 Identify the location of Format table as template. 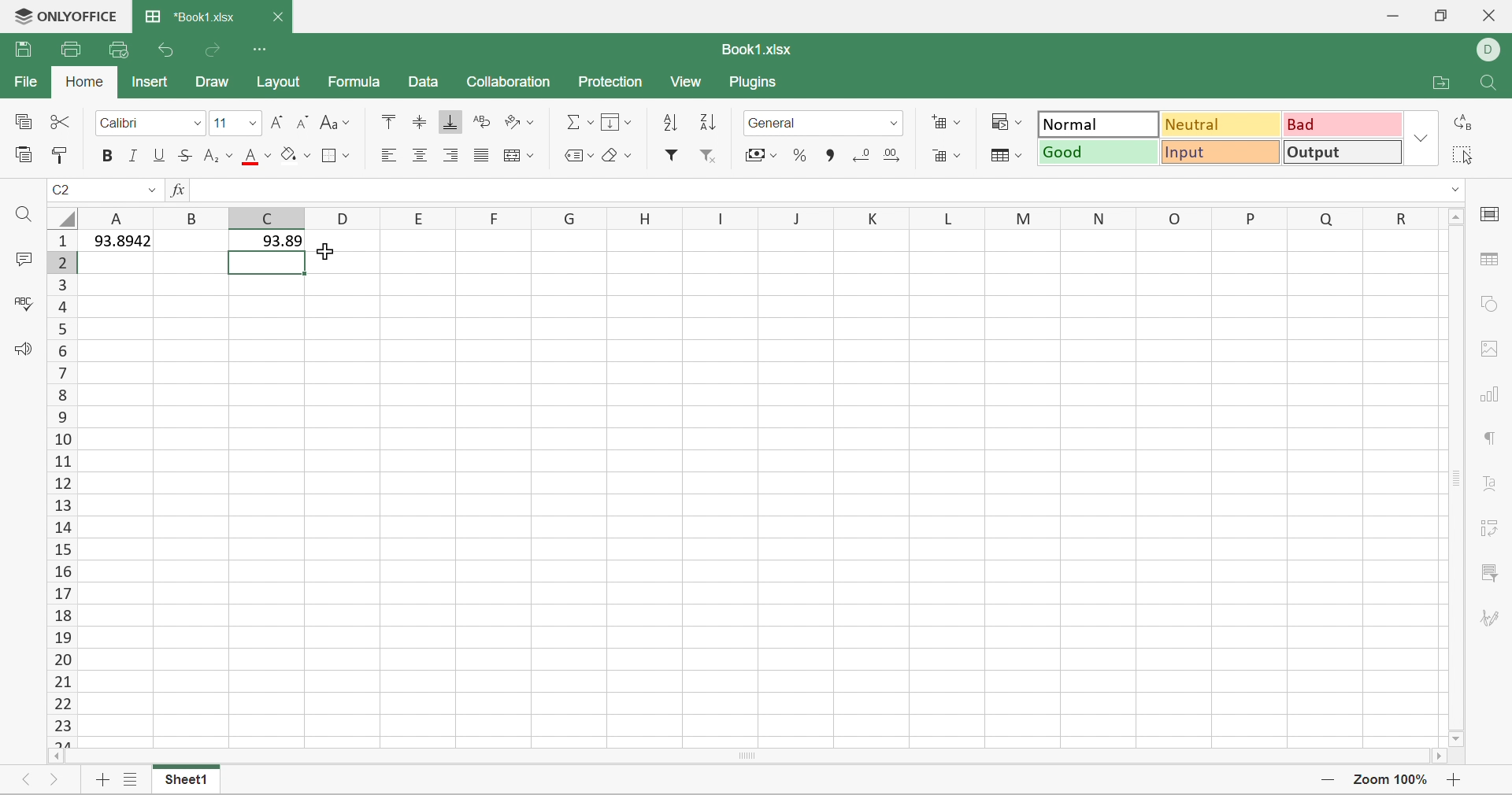
(1002, 154).